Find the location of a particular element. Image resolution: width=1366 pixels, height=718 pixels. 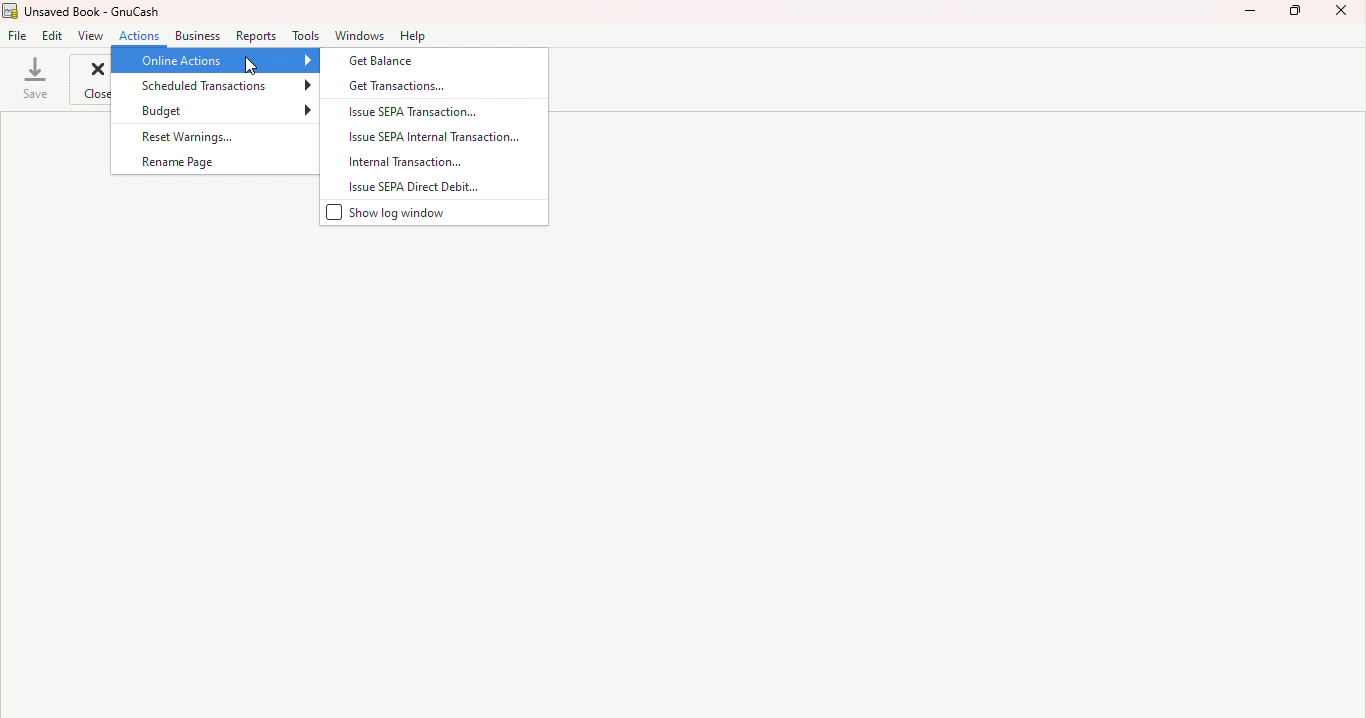

Reset warnings is located at coordinates (202, 136).